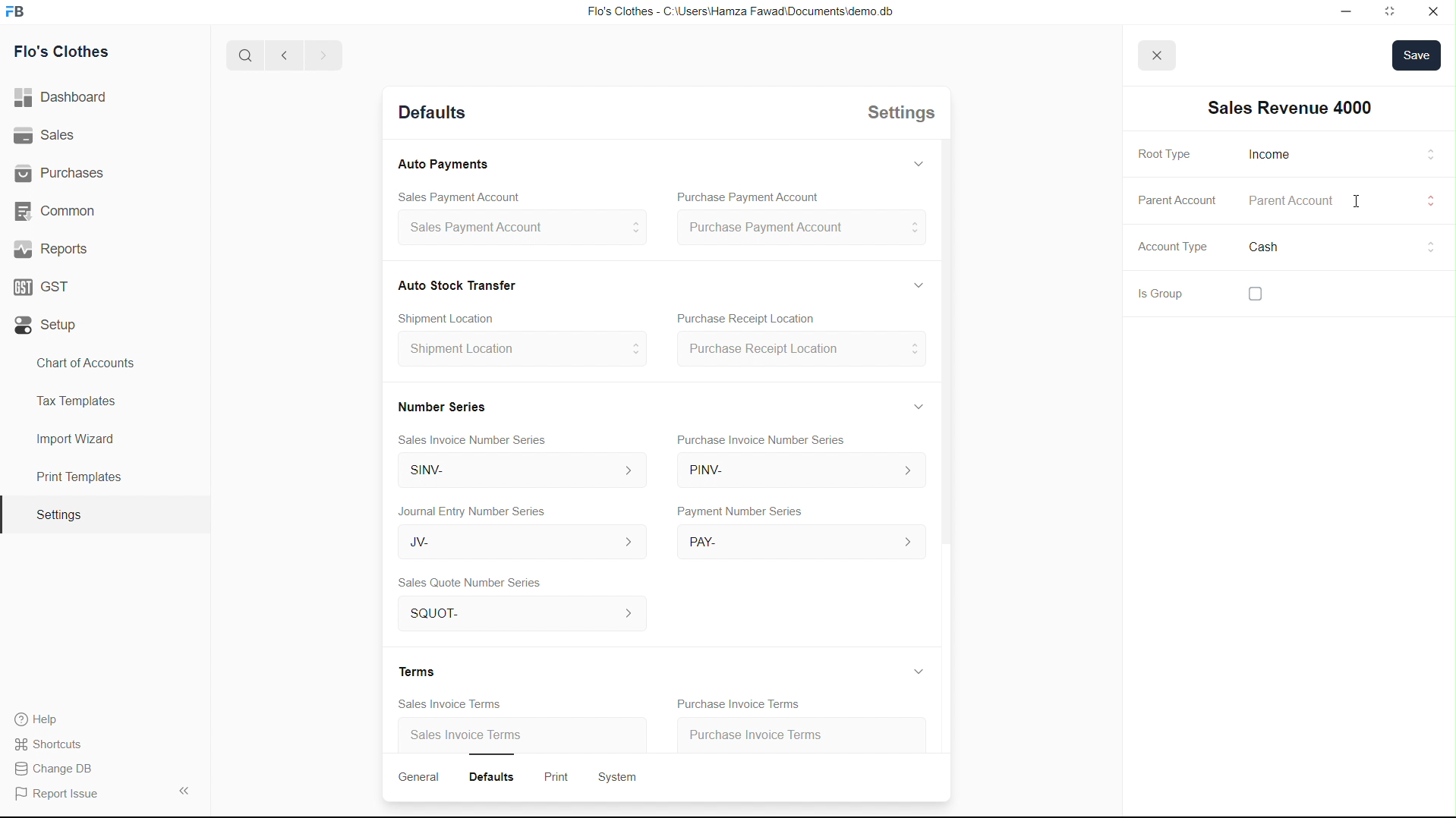 The height and width of the screenshot is (818, 1456). Describe the element at coordinates (736, 512) in the screenshot. I see `Payment Number Series` at that location.